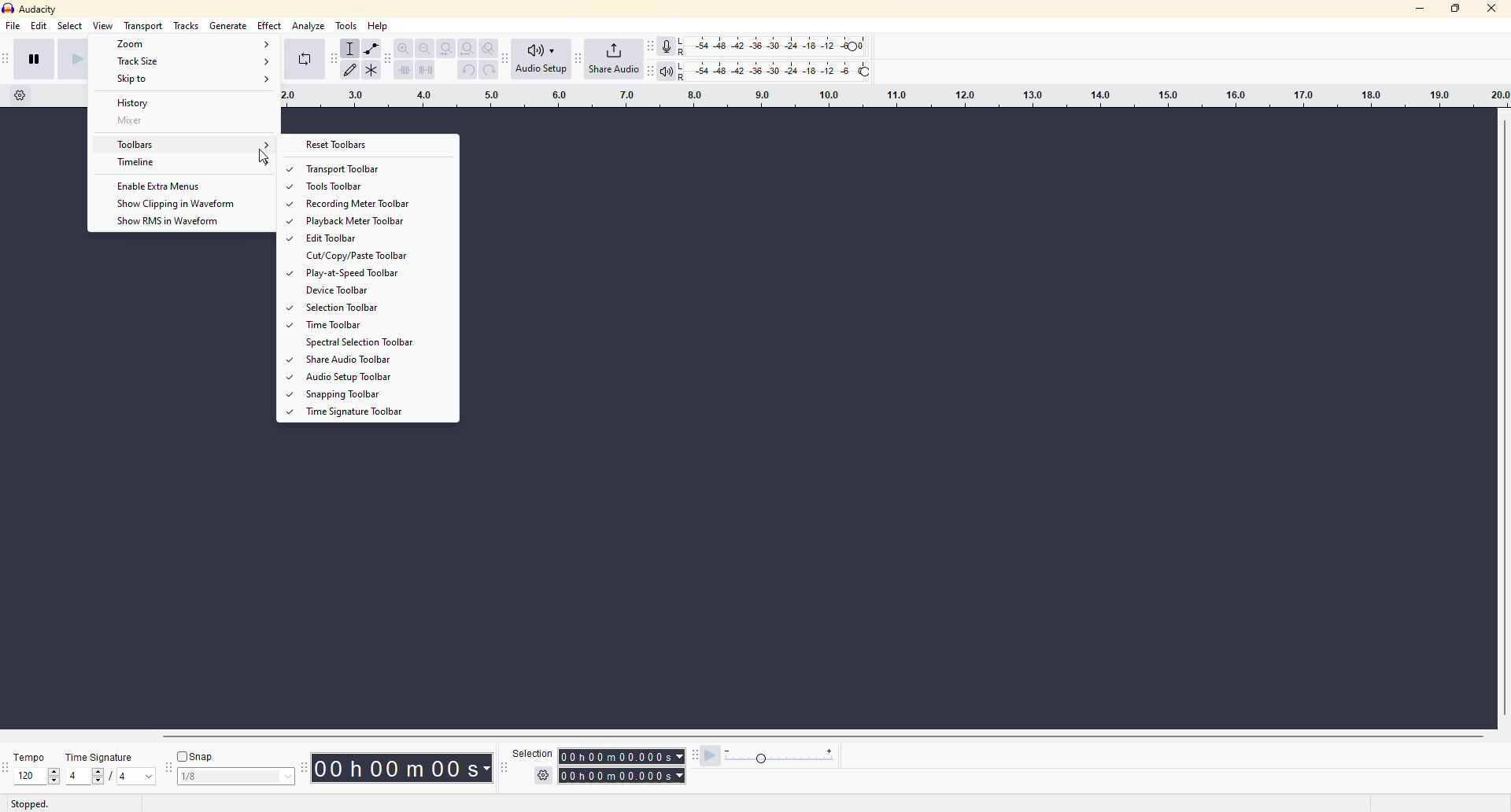  Describe the element at coordinates (333, 188) in the screenshot. I see `tools toolbar` at that location.